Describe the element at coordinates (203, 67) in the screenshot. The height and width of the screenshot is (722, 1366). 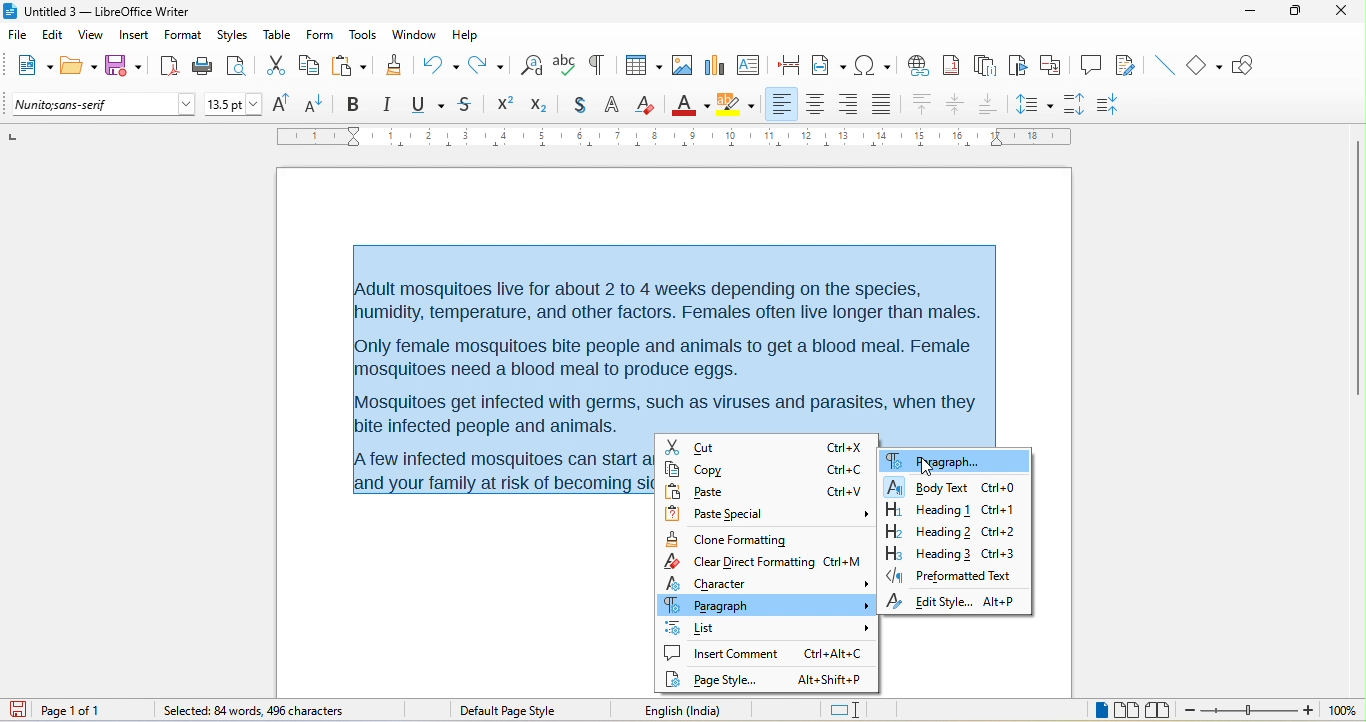
I see `print` at that location.